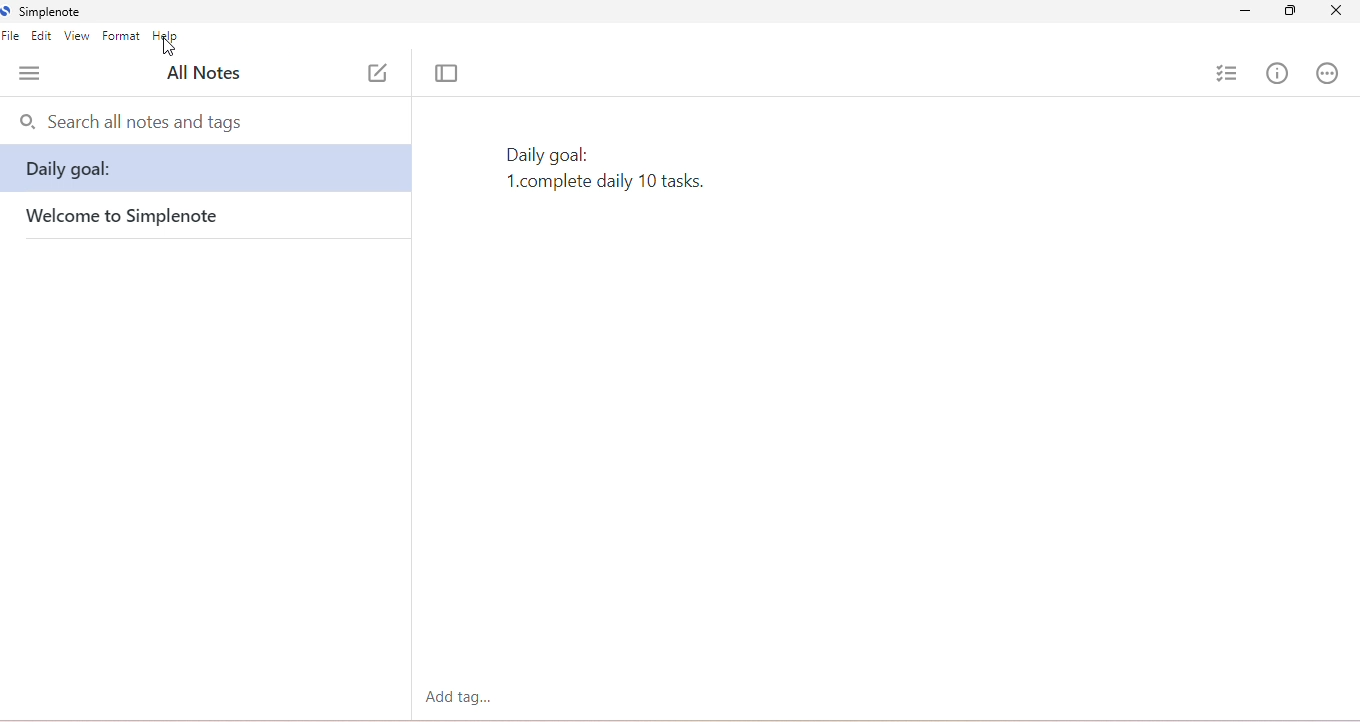 The image size is (1360, 722). Describe the element at coordinates (76, 36) in the screenshot. I see `view` at that location.